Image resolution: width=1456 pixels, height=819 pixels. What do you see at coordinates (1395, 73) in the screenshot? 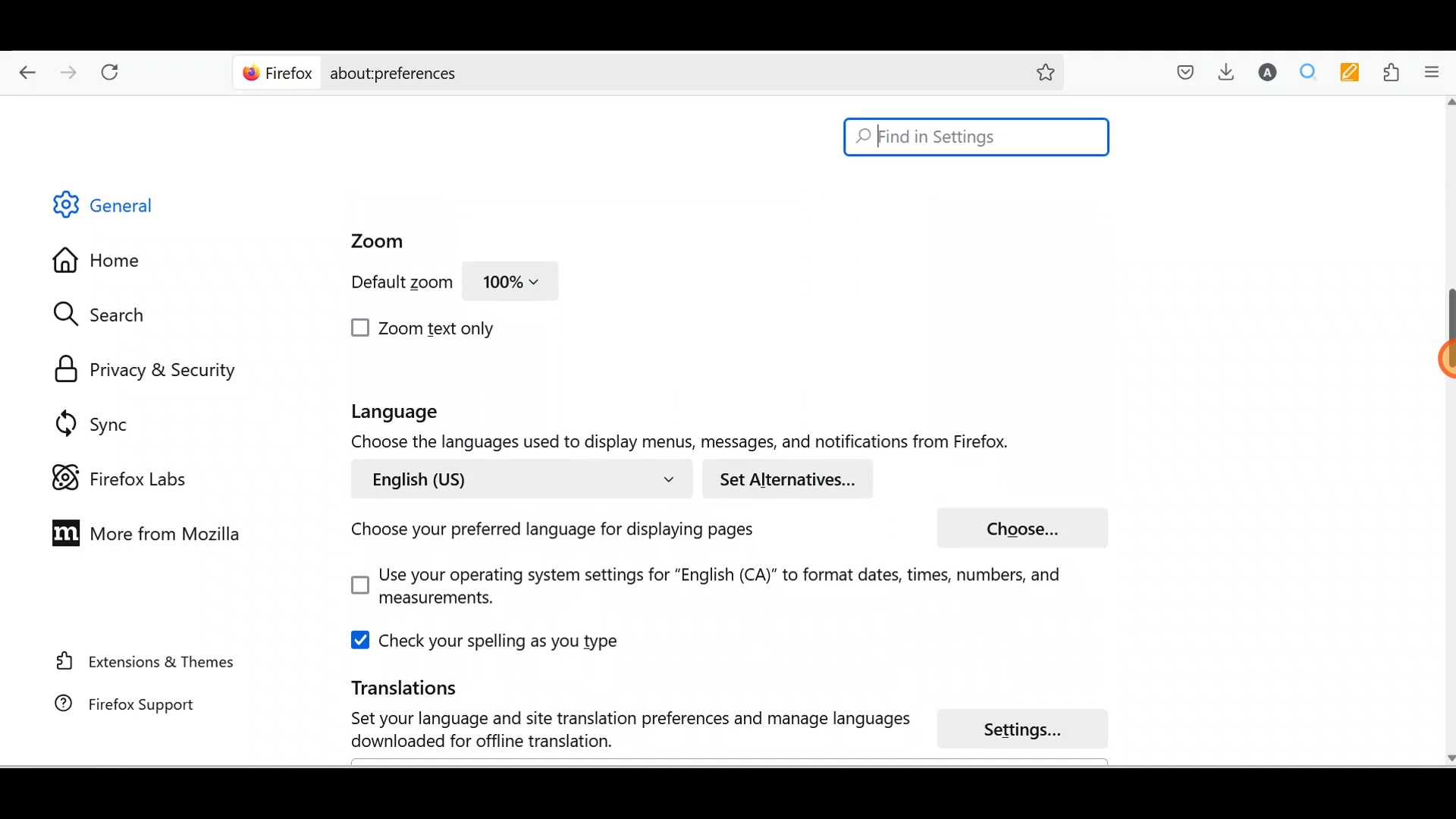
I see `Extensions` at bounding box center [1395, 73].